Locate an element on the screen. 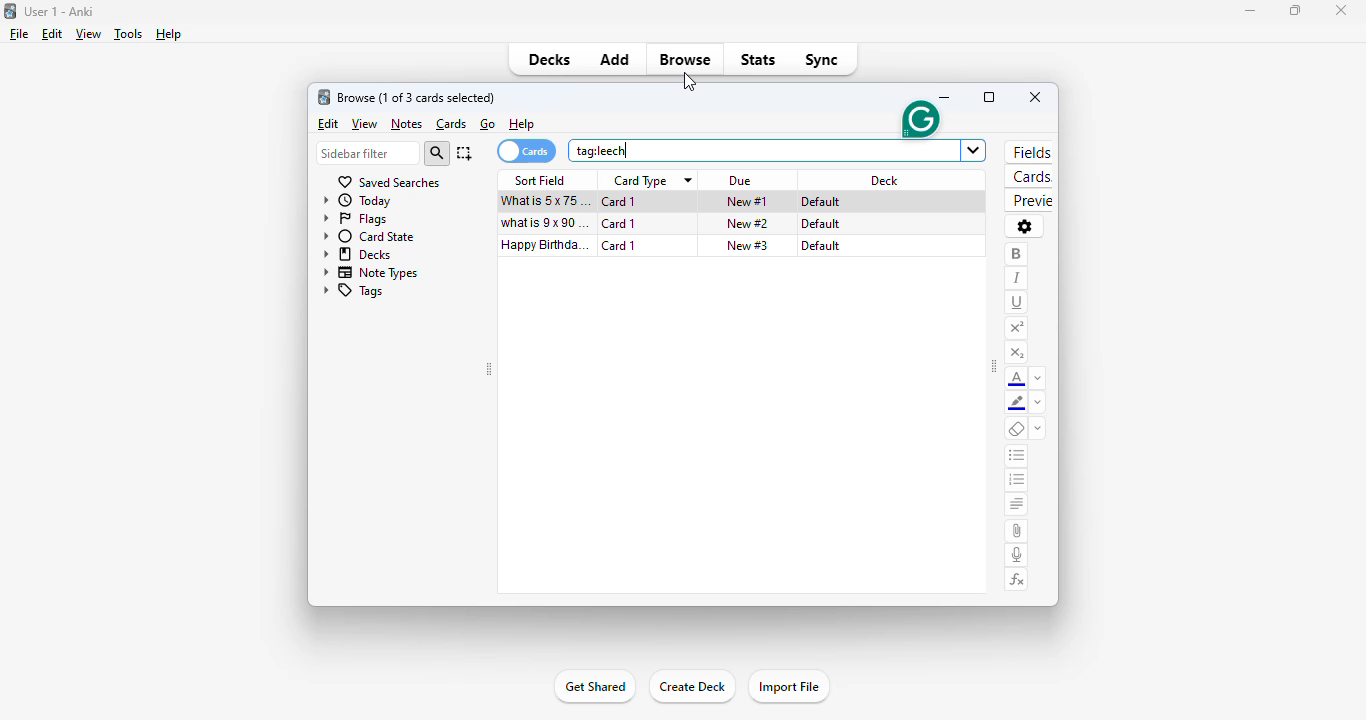 Image resolution: width=1366 pixels, height=720 pixels. sort field is located at coordinates (540, 180).